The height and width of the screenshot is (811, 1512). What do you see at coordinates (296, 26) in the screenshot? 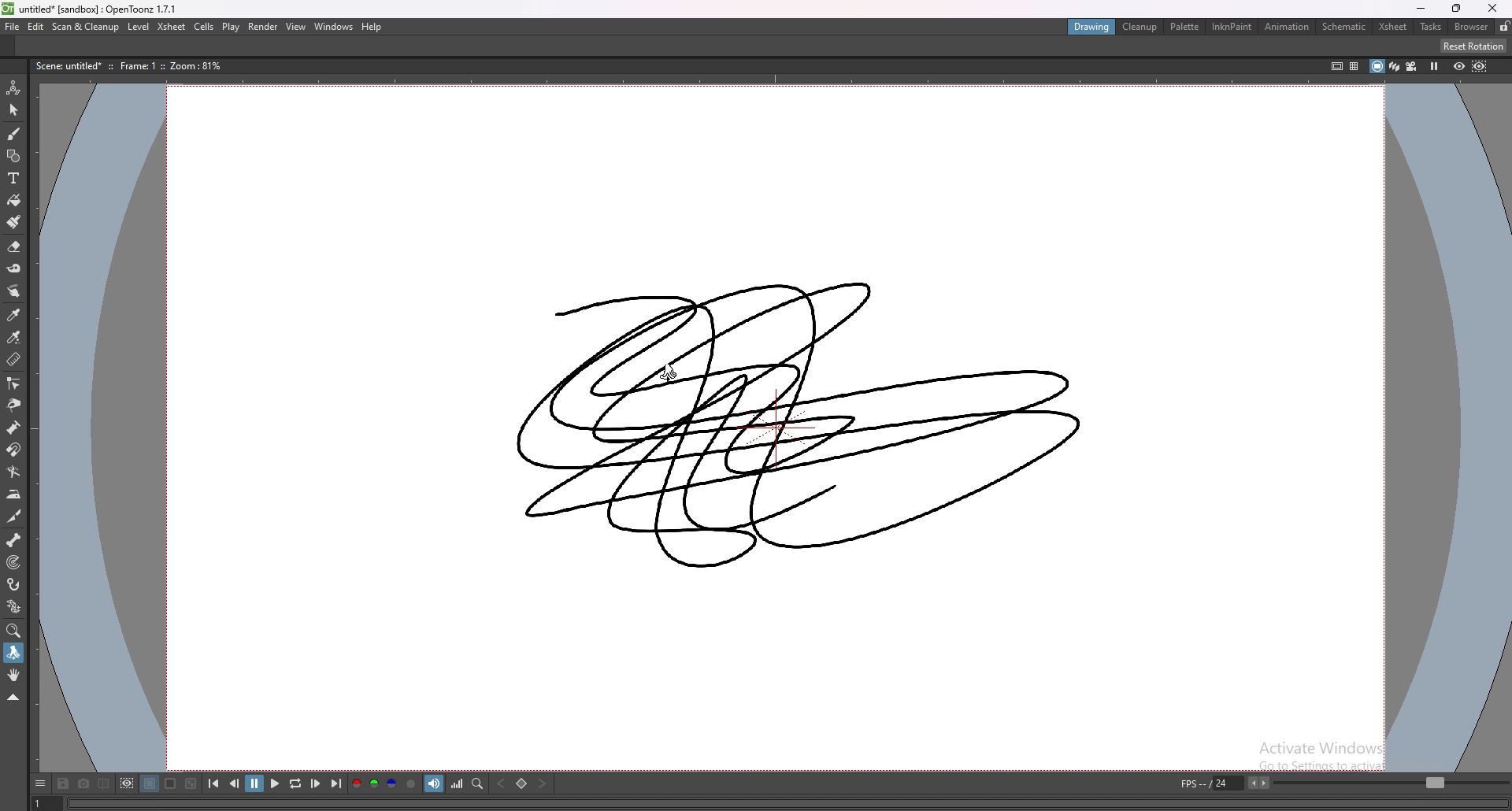
I see `view` at bounding box center [296, 26].